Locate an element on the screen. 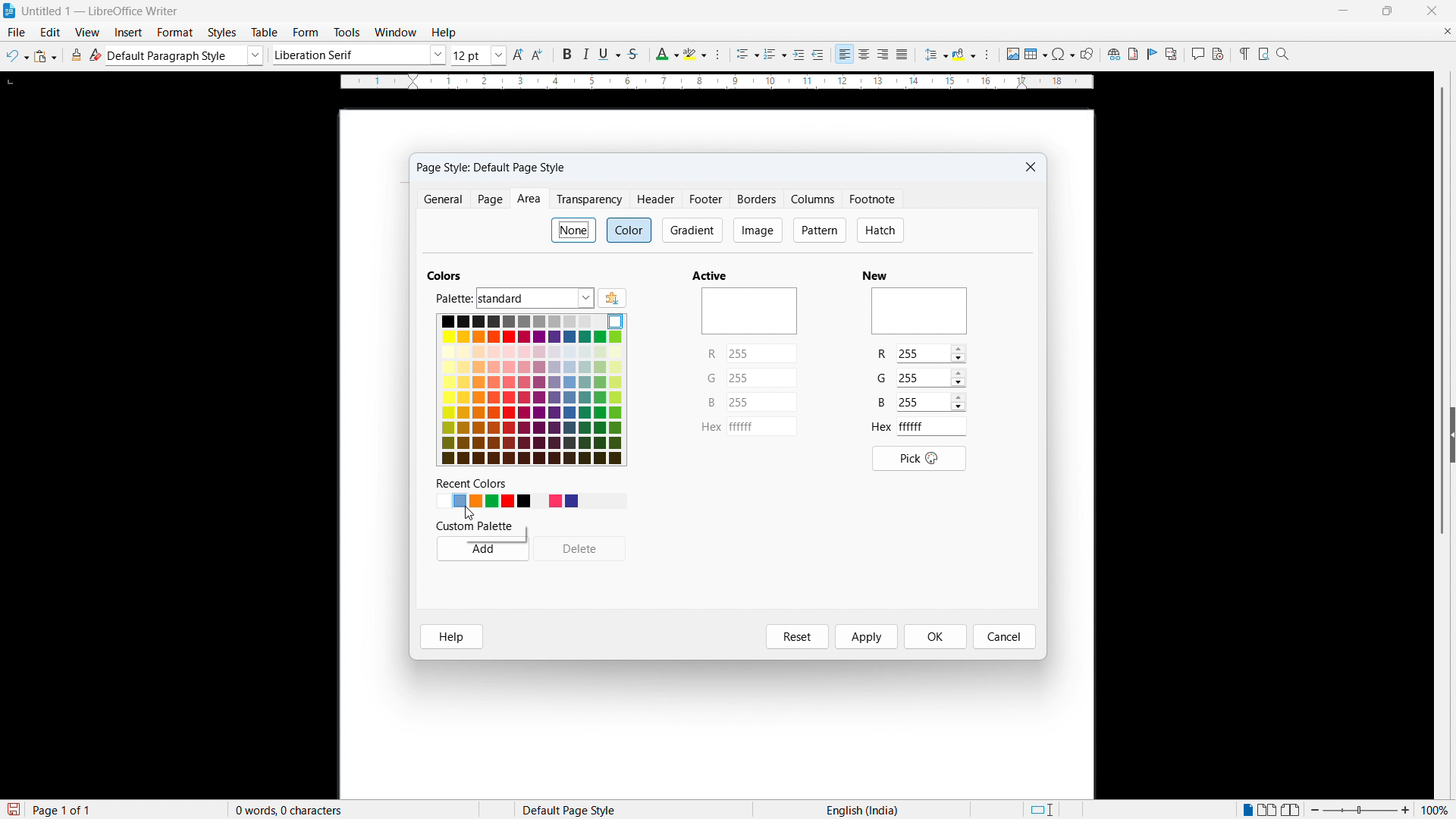  set G is located at coordinates (761, 378).